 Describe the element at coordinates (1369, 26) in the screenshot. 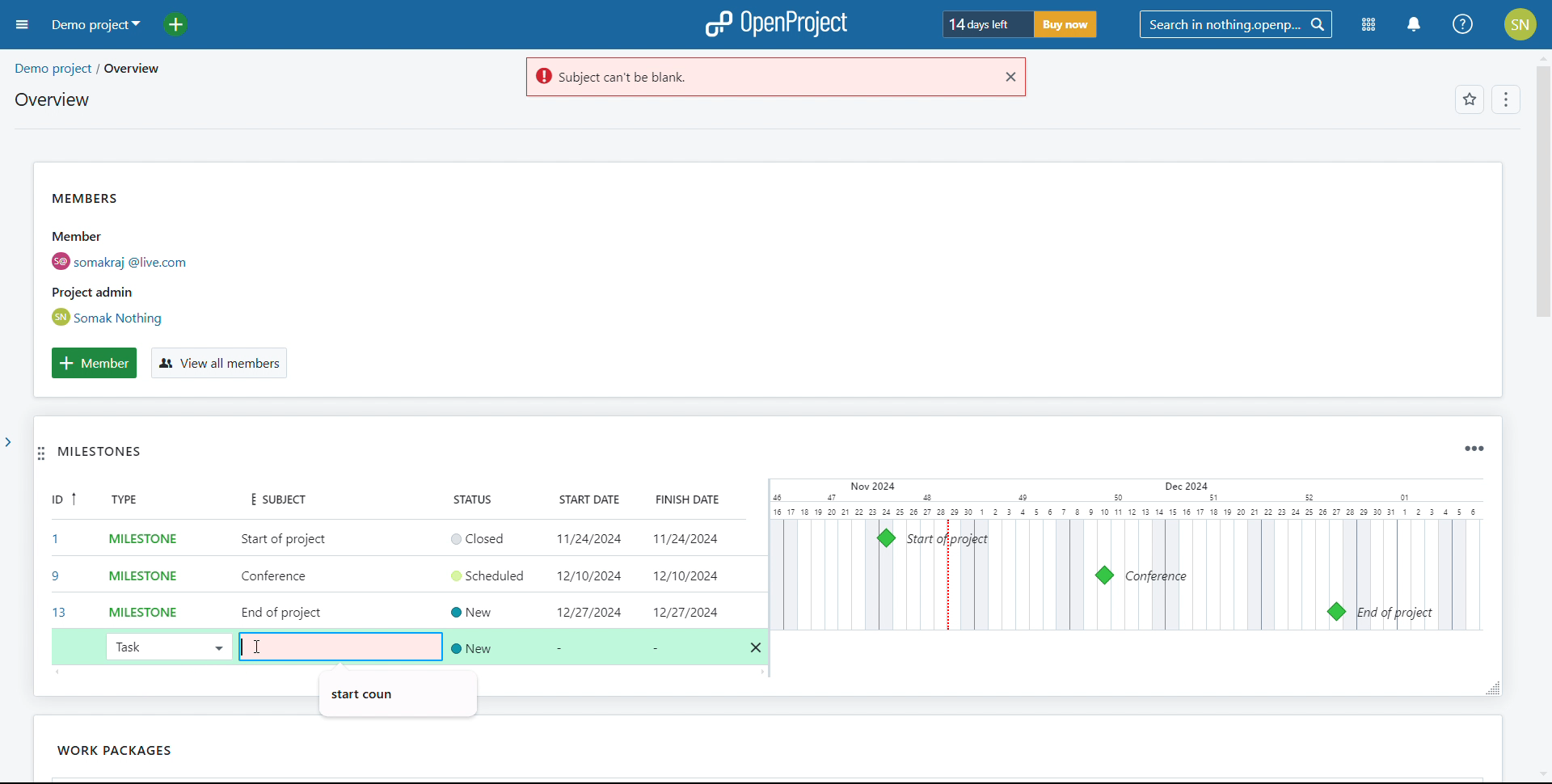

I see `modules` at that location.